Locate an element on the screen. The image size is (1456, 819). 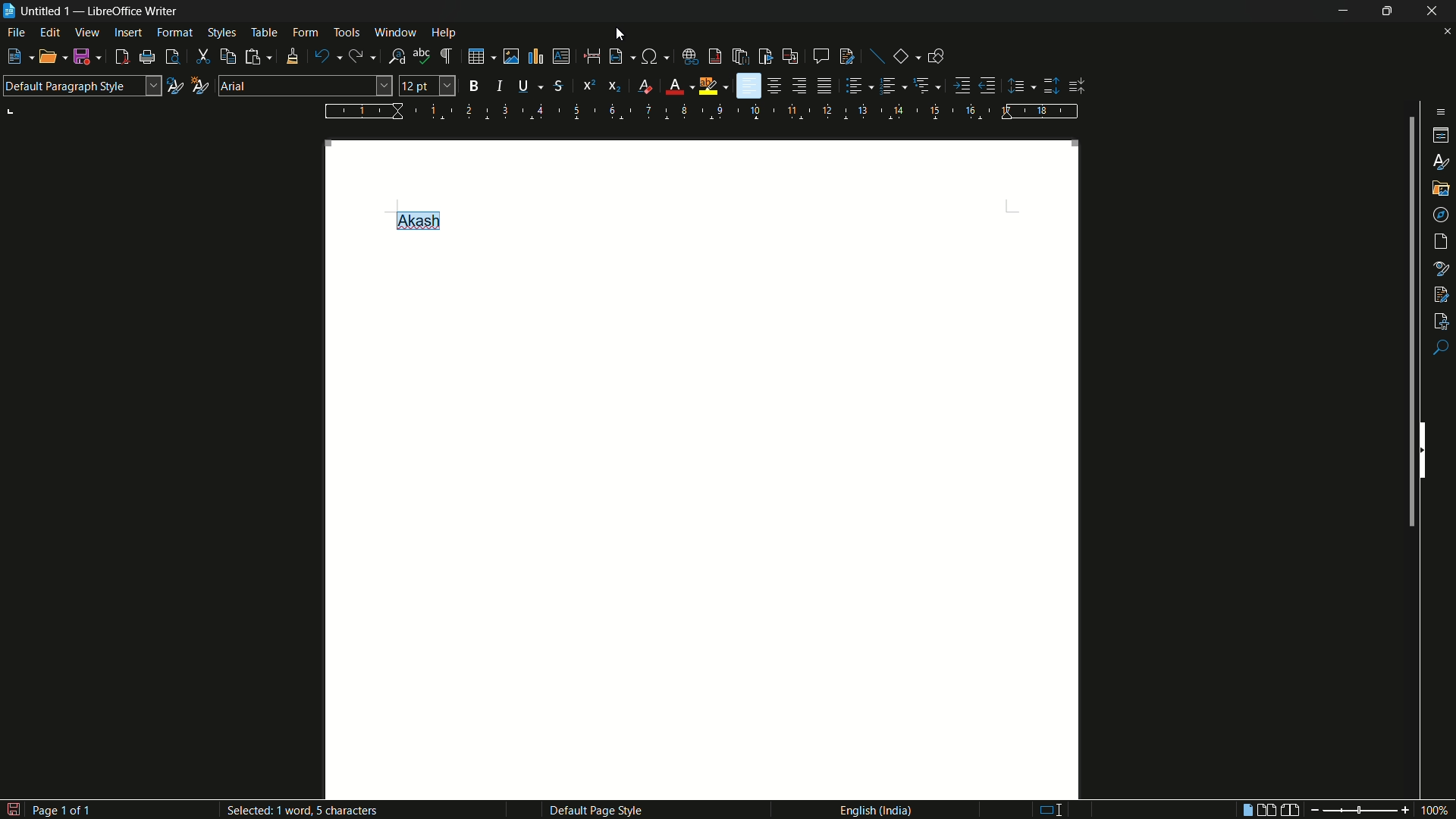
insert footnote is located at coordinates (716, 56).